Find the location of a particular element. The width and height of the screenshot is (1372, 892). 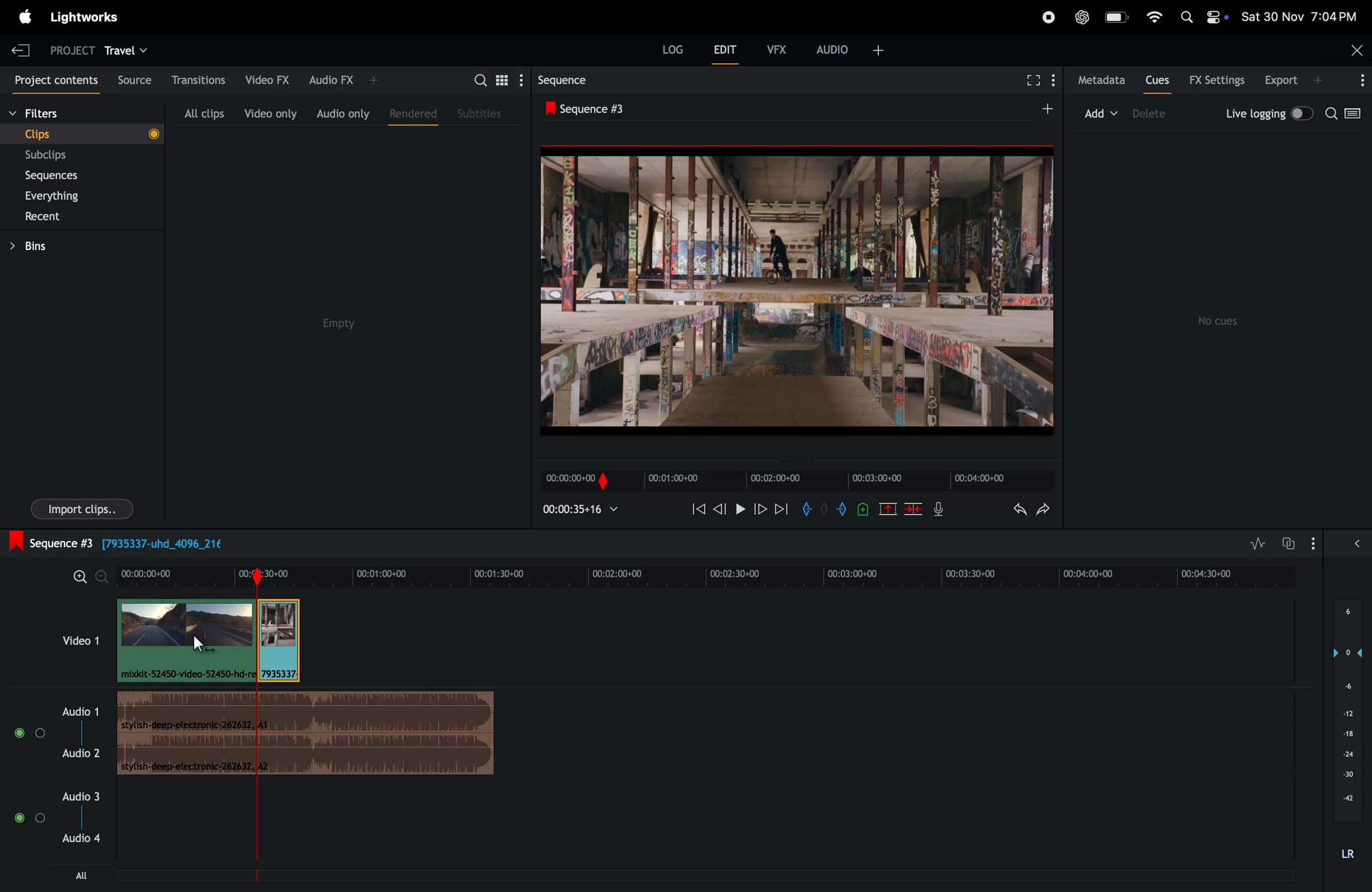

apple menu is located at coordinates (26, 16).